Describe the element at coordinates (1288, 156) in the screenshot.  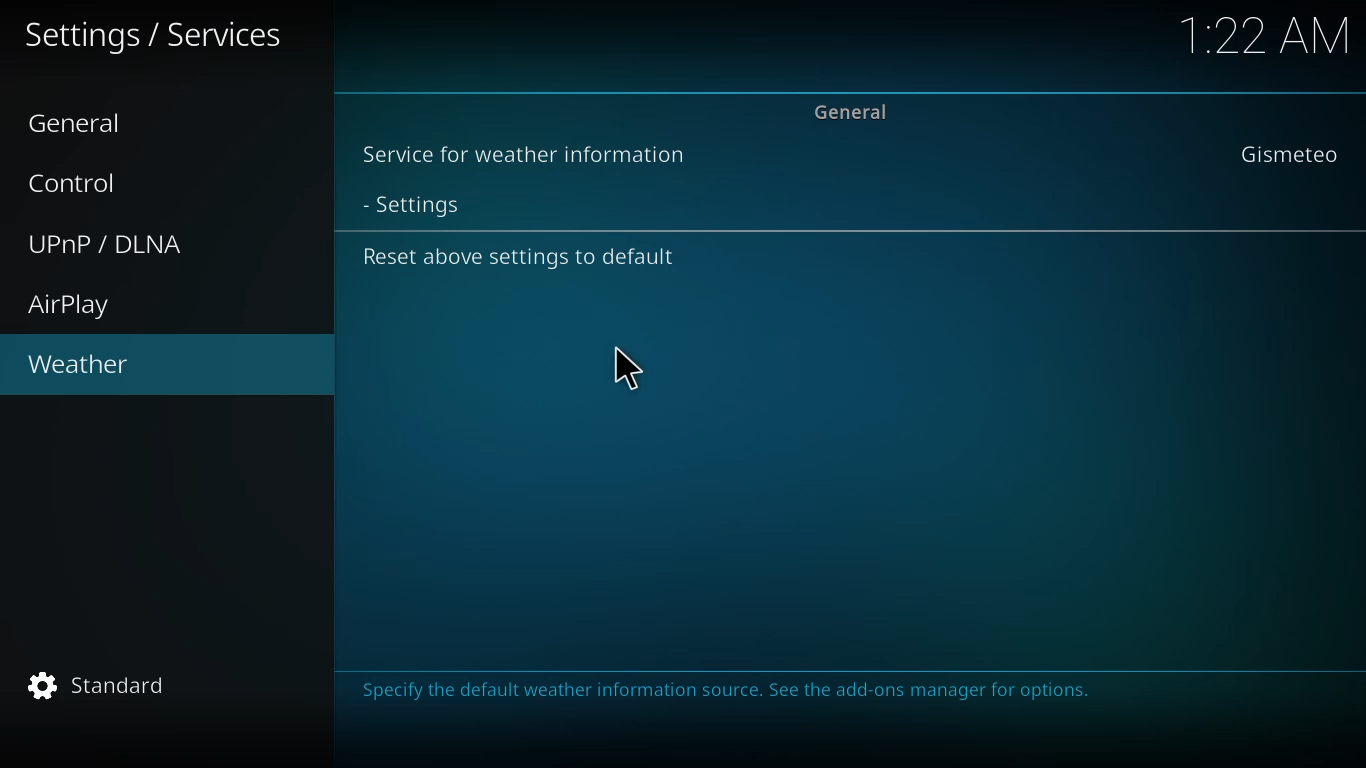
I see `gismeteo` at that location.